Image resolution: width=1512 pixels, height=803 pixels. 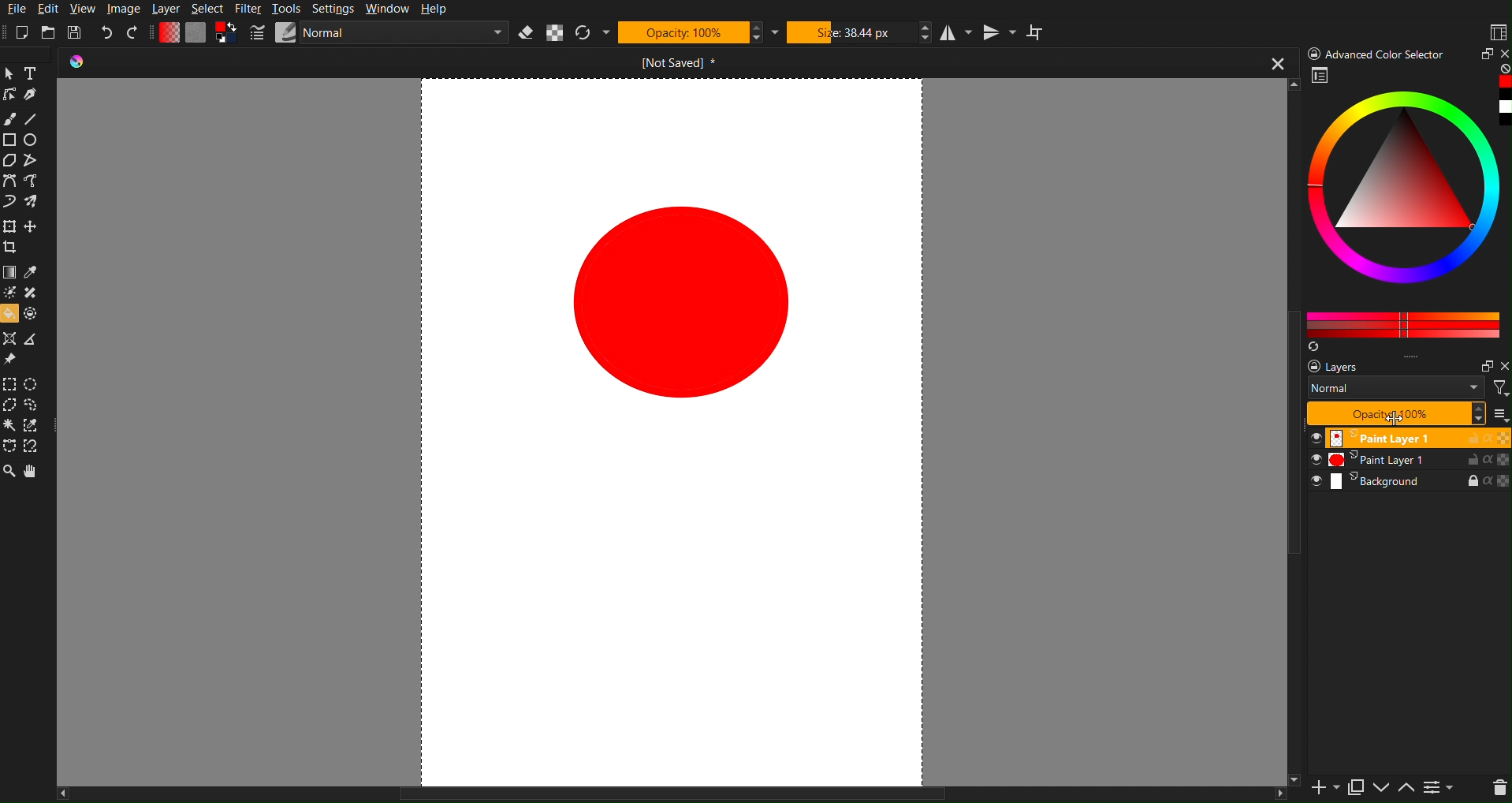 What do you see at coordinates (33, 161) in the screenshot?
I see `Polyline` at bounding box center [33, 161].